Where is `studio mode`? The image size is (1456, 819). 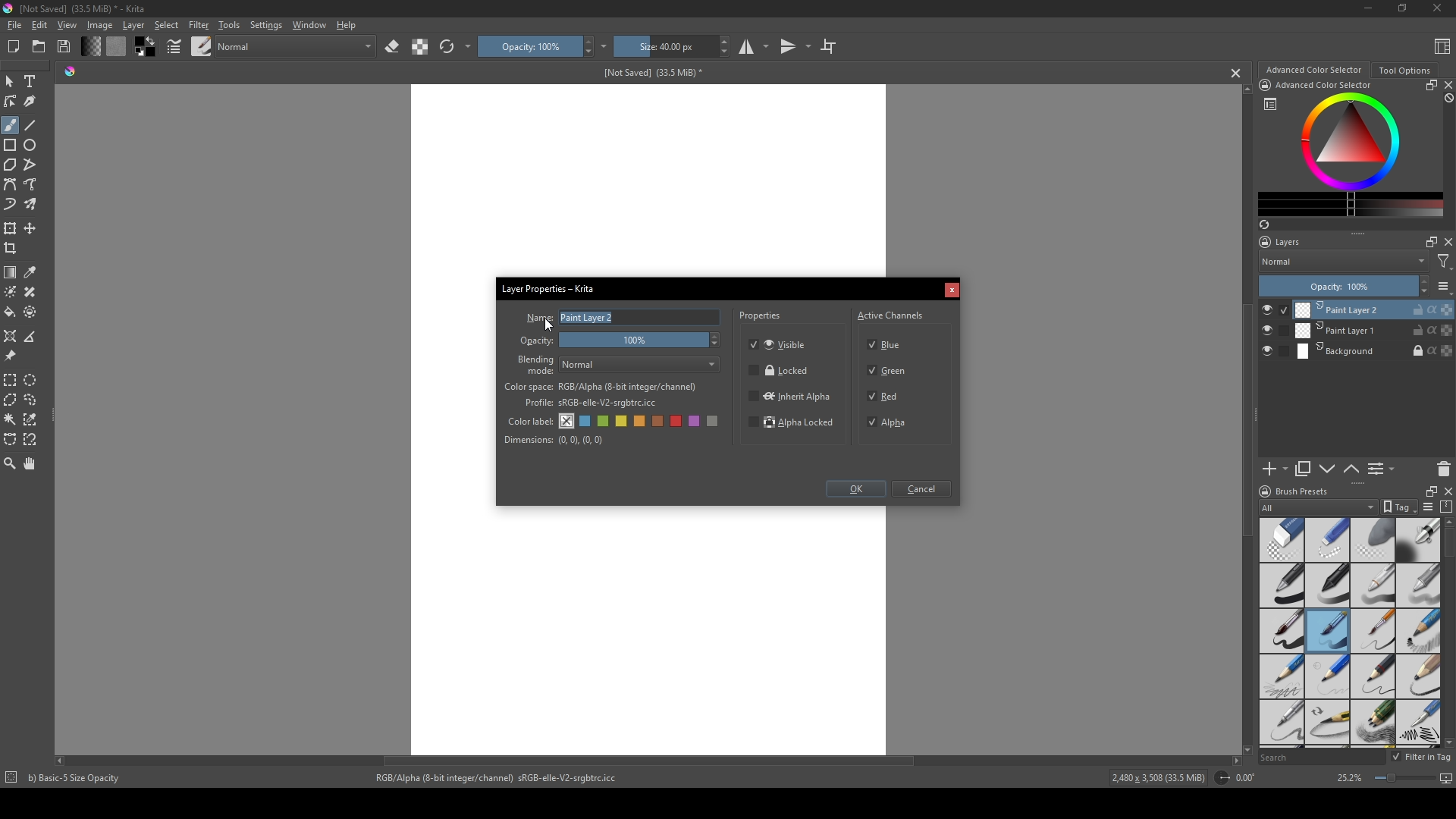 studio mode is located at coordinates (754, 46).